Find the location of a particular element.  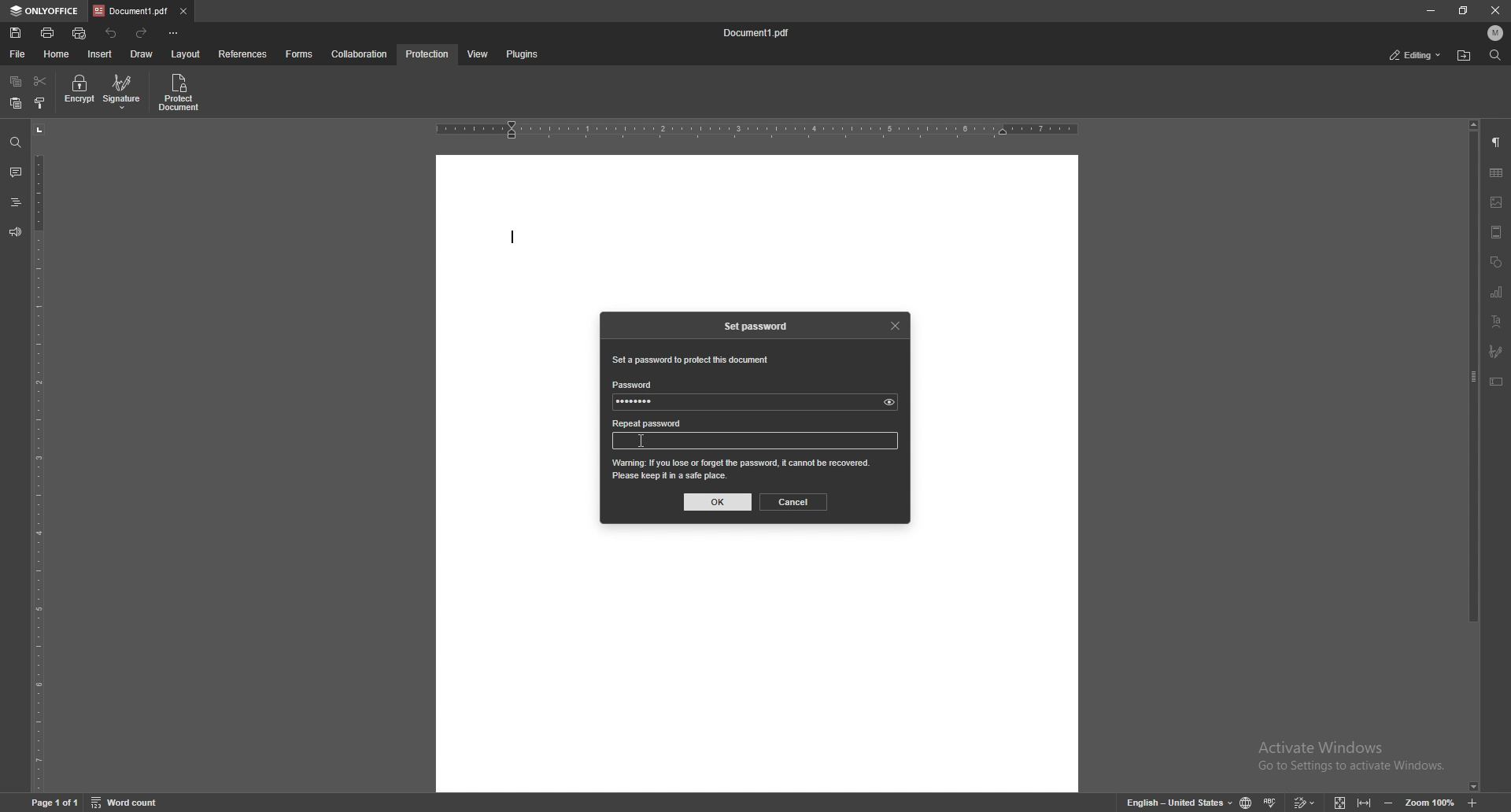

password input is located at coordinates (757, 404).